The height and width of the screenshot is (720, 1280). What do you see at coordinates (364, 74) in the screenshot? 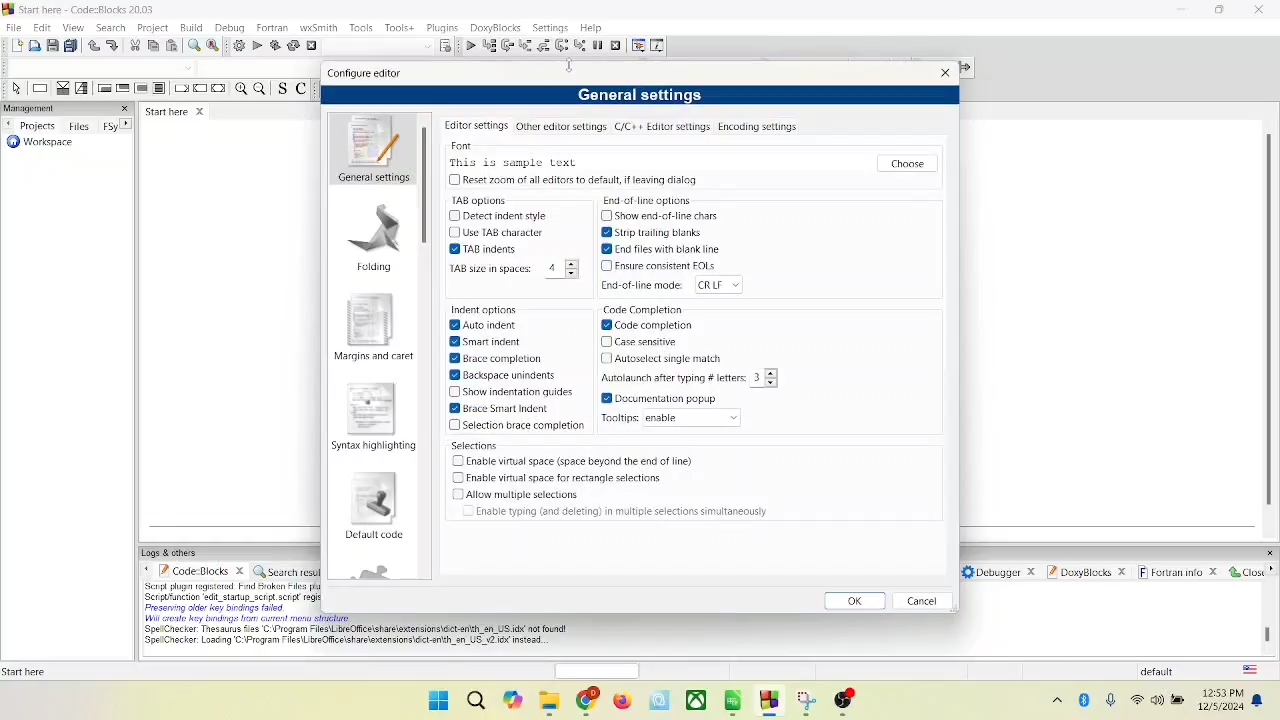
I see `configure editor` at bounding box center [364, 74].